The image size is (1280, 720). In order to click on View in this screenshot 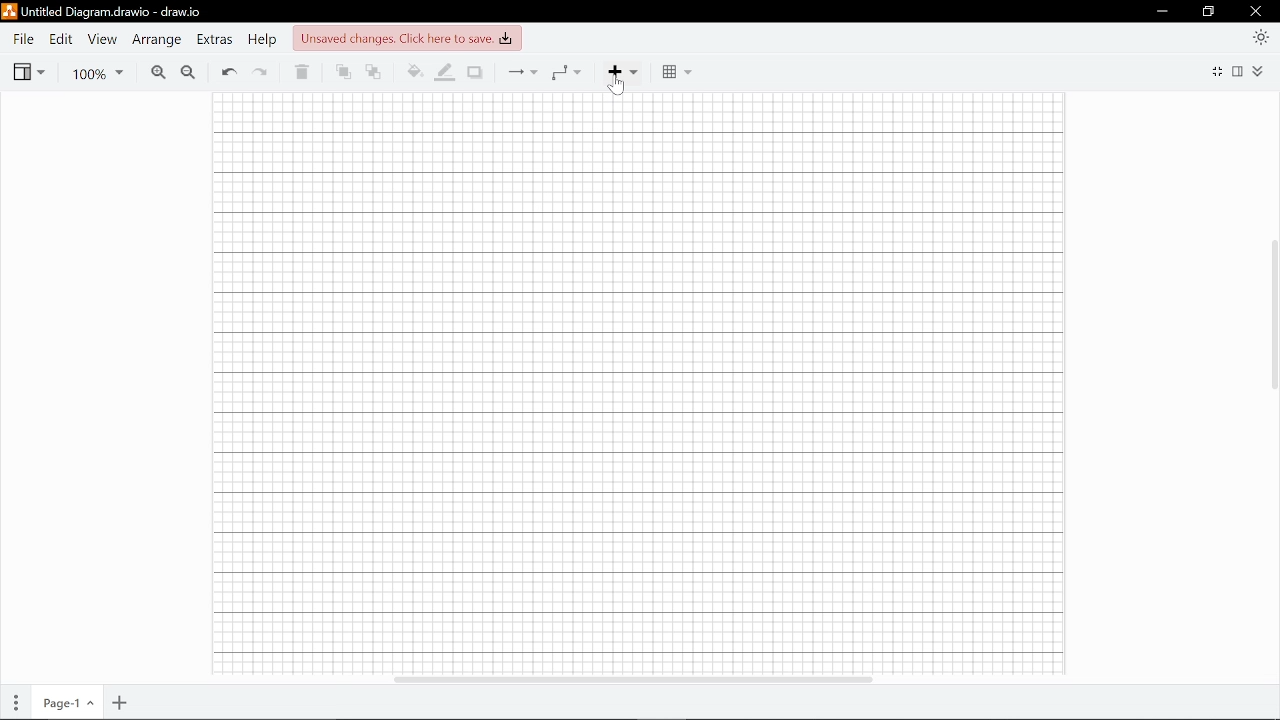, I will do `click(103, 40)`.